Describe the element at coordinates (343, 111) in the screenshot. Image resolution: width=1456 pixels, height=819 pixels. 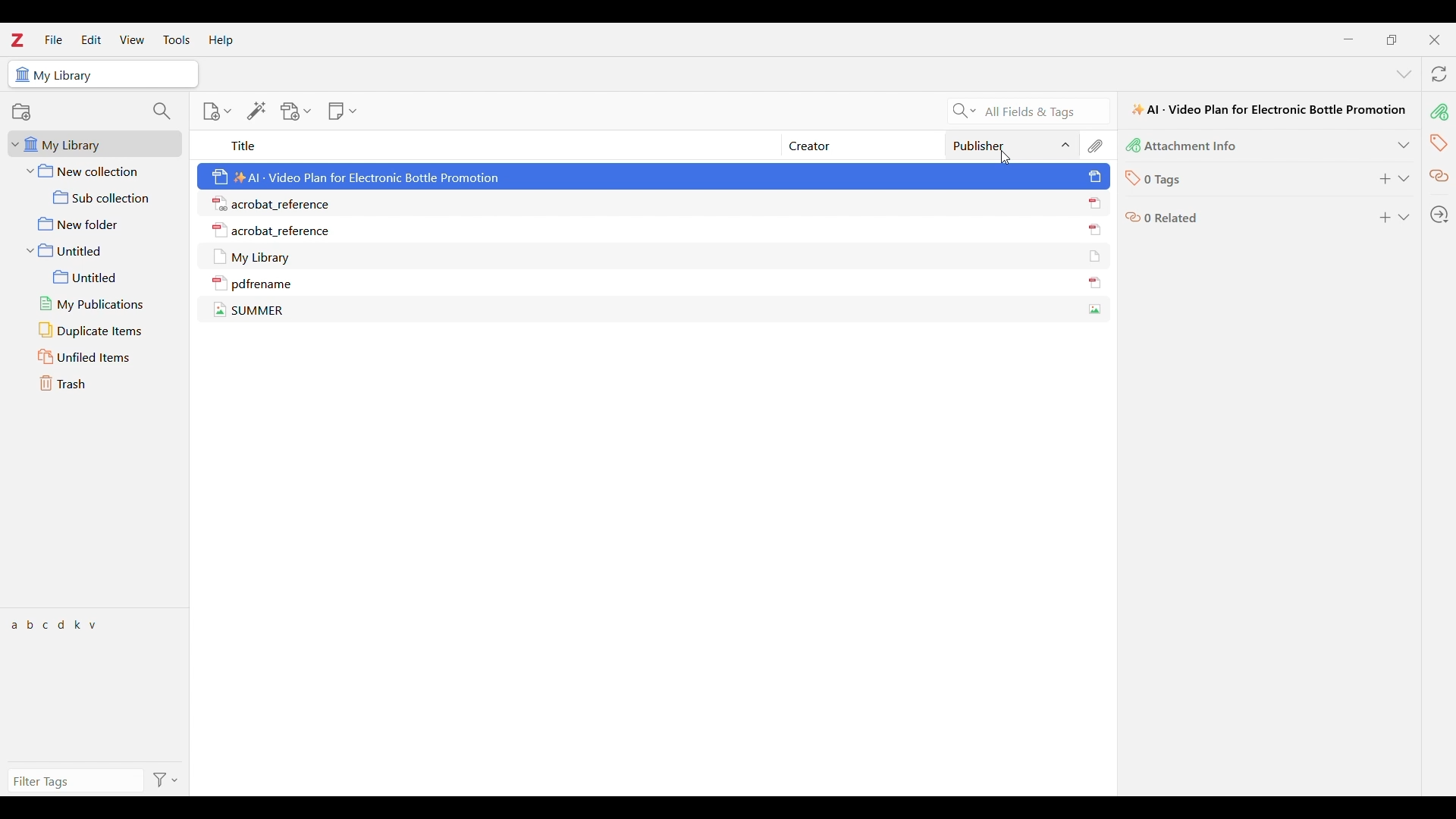
I see `New note options` at that location.